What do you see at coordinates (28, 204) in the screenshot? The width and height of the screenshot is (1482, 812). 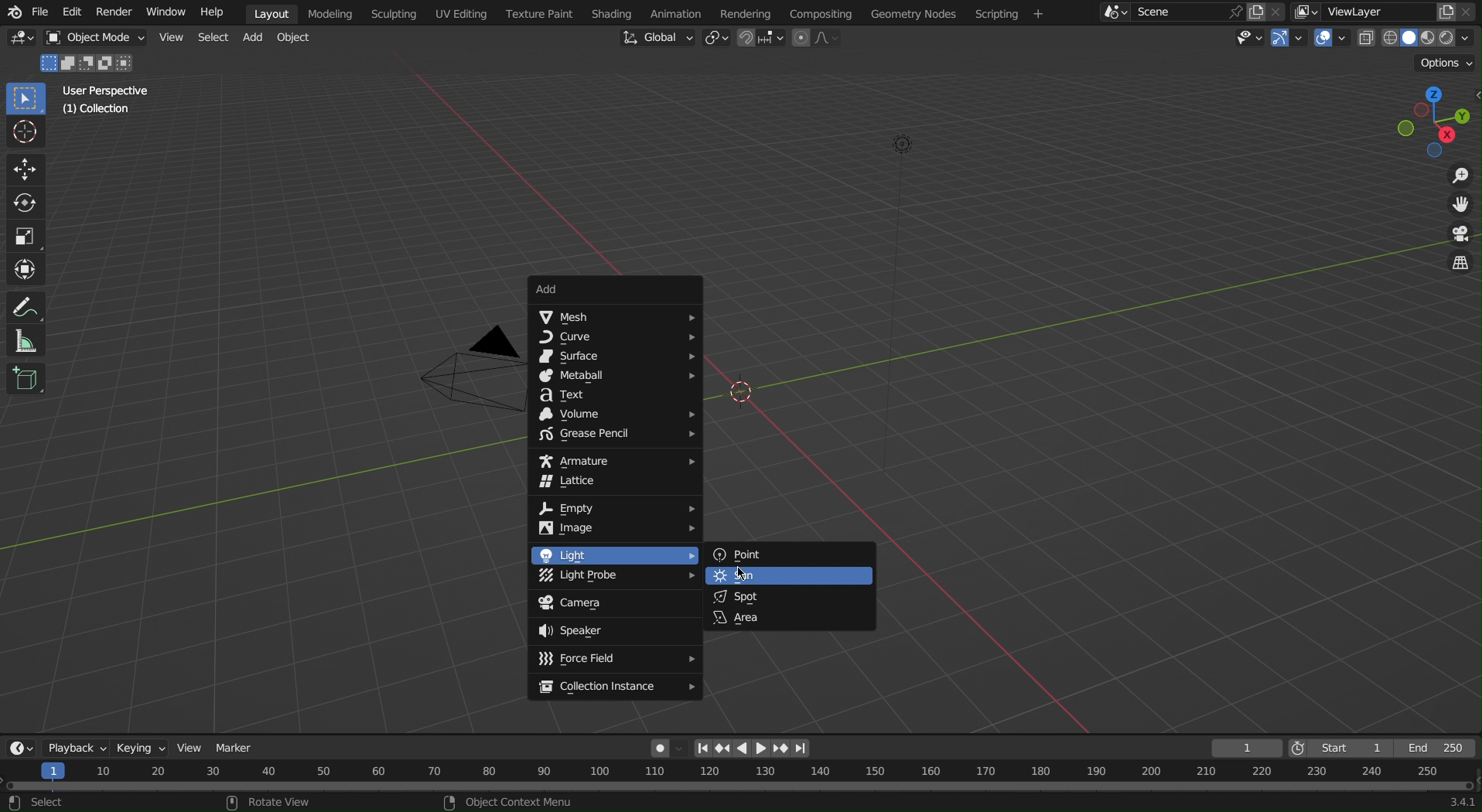 I see `Rotate` at bounding box center [28, 204].